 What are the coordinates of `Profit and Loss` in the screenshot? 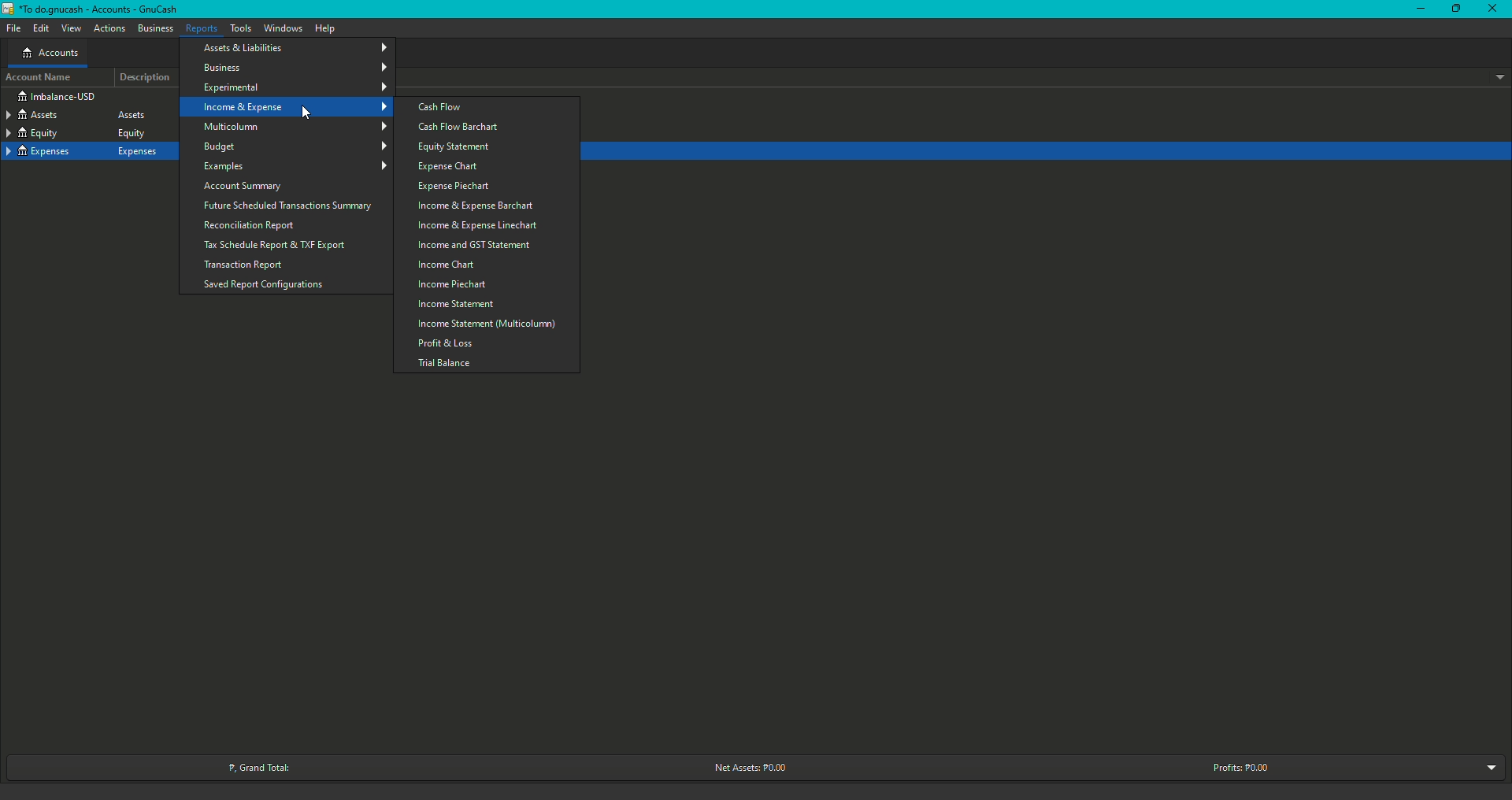 It's located at (447, 343).